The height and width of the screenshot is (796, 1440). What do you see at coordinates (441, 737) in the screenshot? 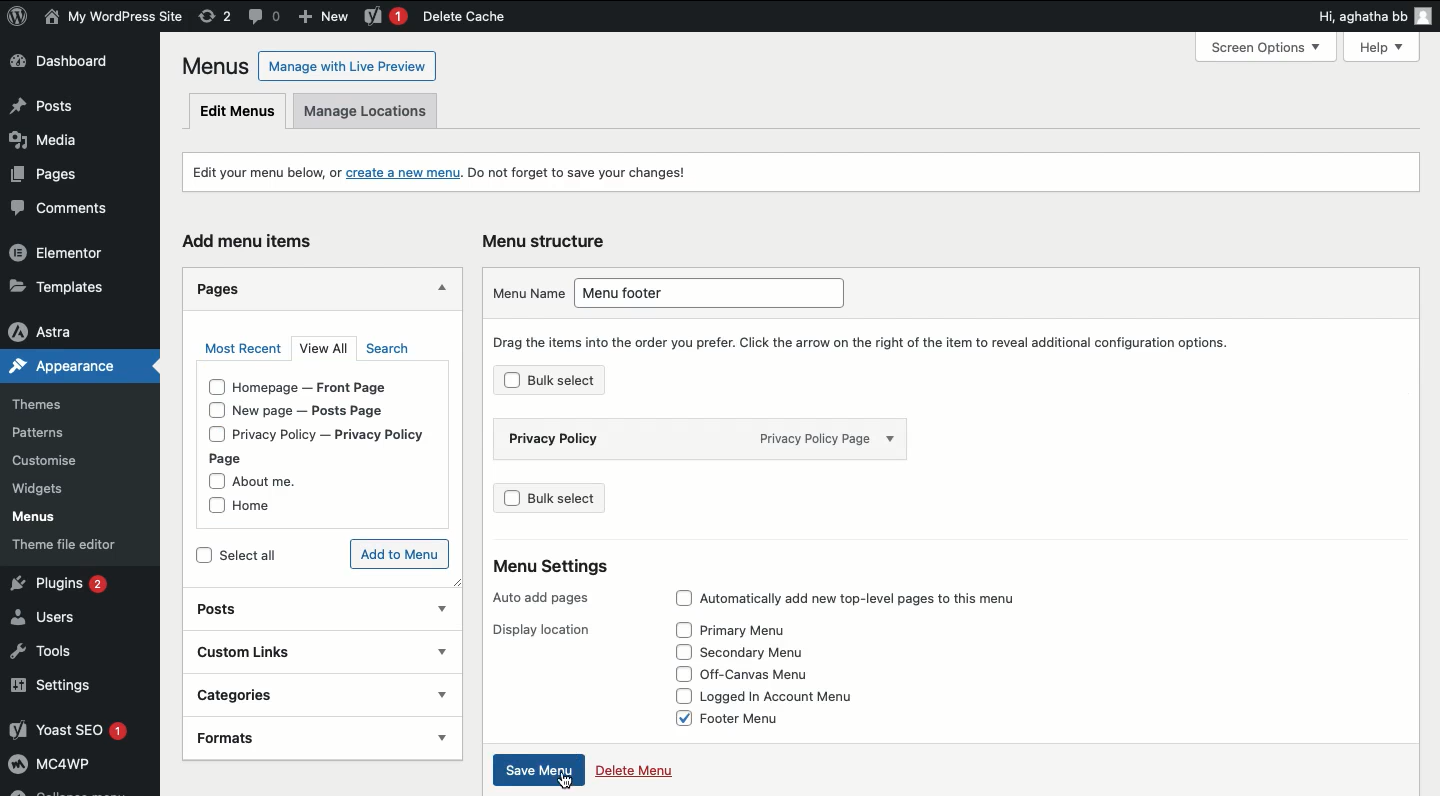
I see `show` at bounding box center [441, 737].